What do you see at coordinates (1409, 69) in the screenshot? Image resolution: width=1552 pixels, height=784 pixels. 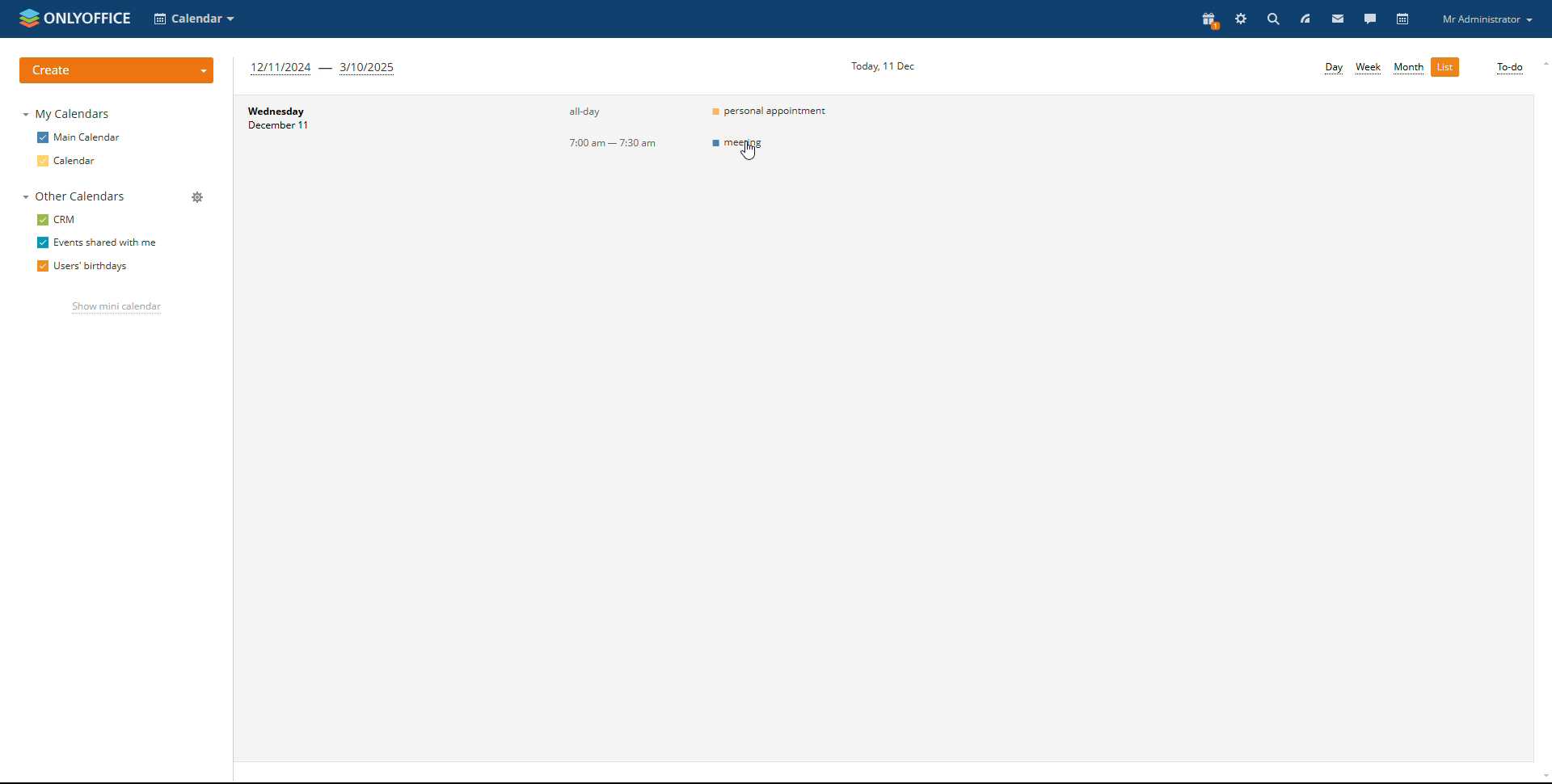 I see `month view` at bounding box center [1409, 69].